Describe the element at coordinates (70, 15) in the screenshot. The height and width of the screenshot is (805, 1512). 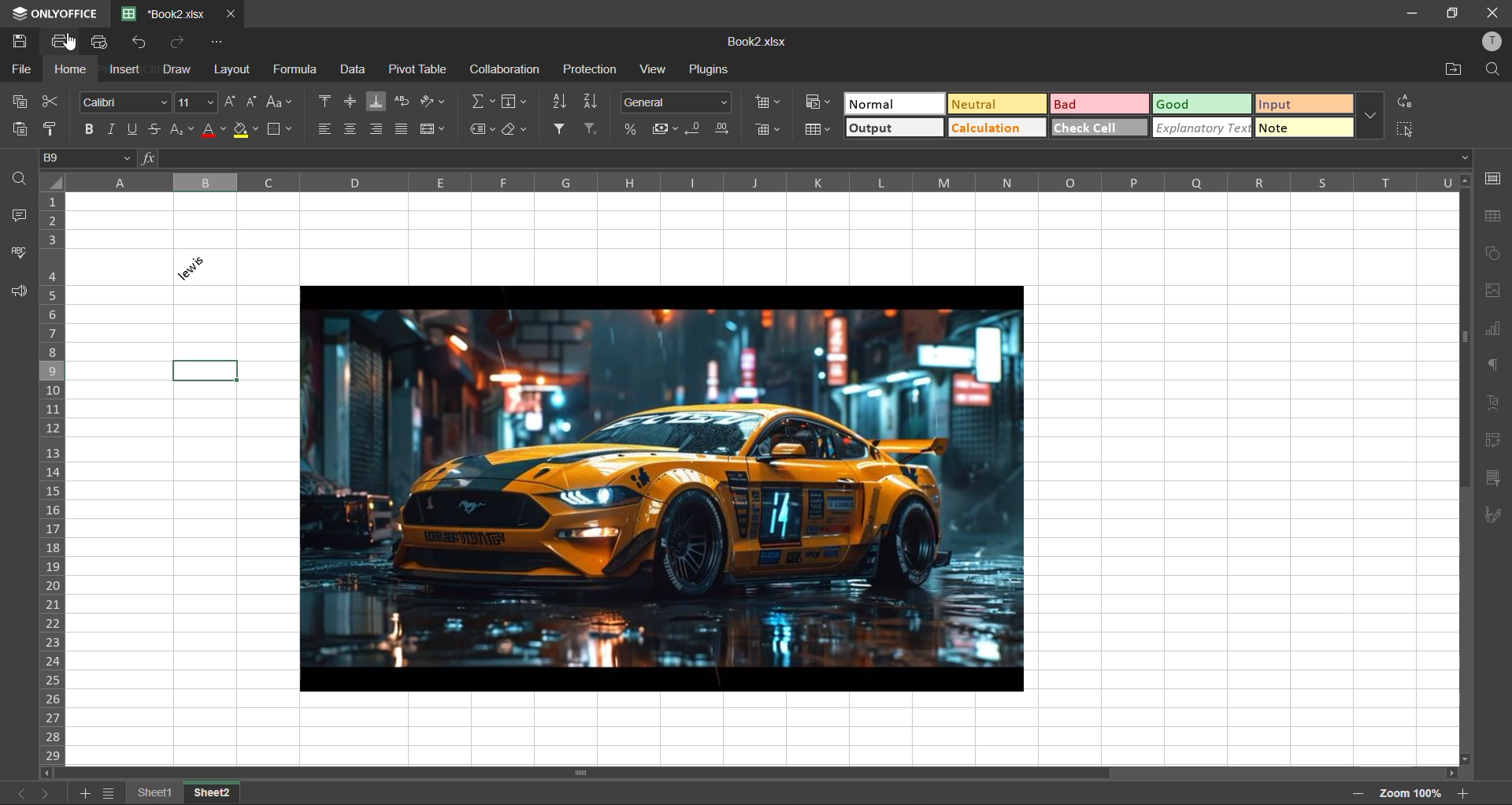
I see `ONLYOFFICE` at that location.